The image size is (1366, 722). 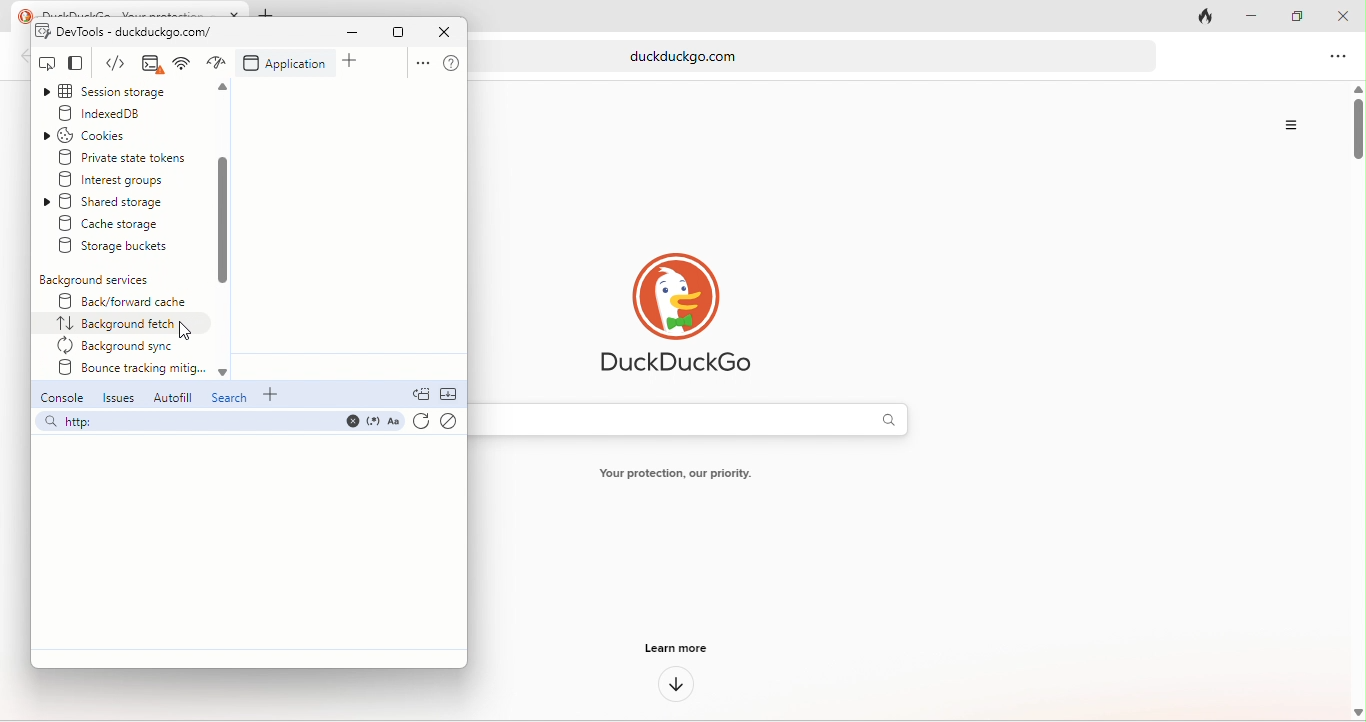 What do you see at coordinates (47, 64) in the screenshot?
I see `inspect` at bounding box center [47, 64].